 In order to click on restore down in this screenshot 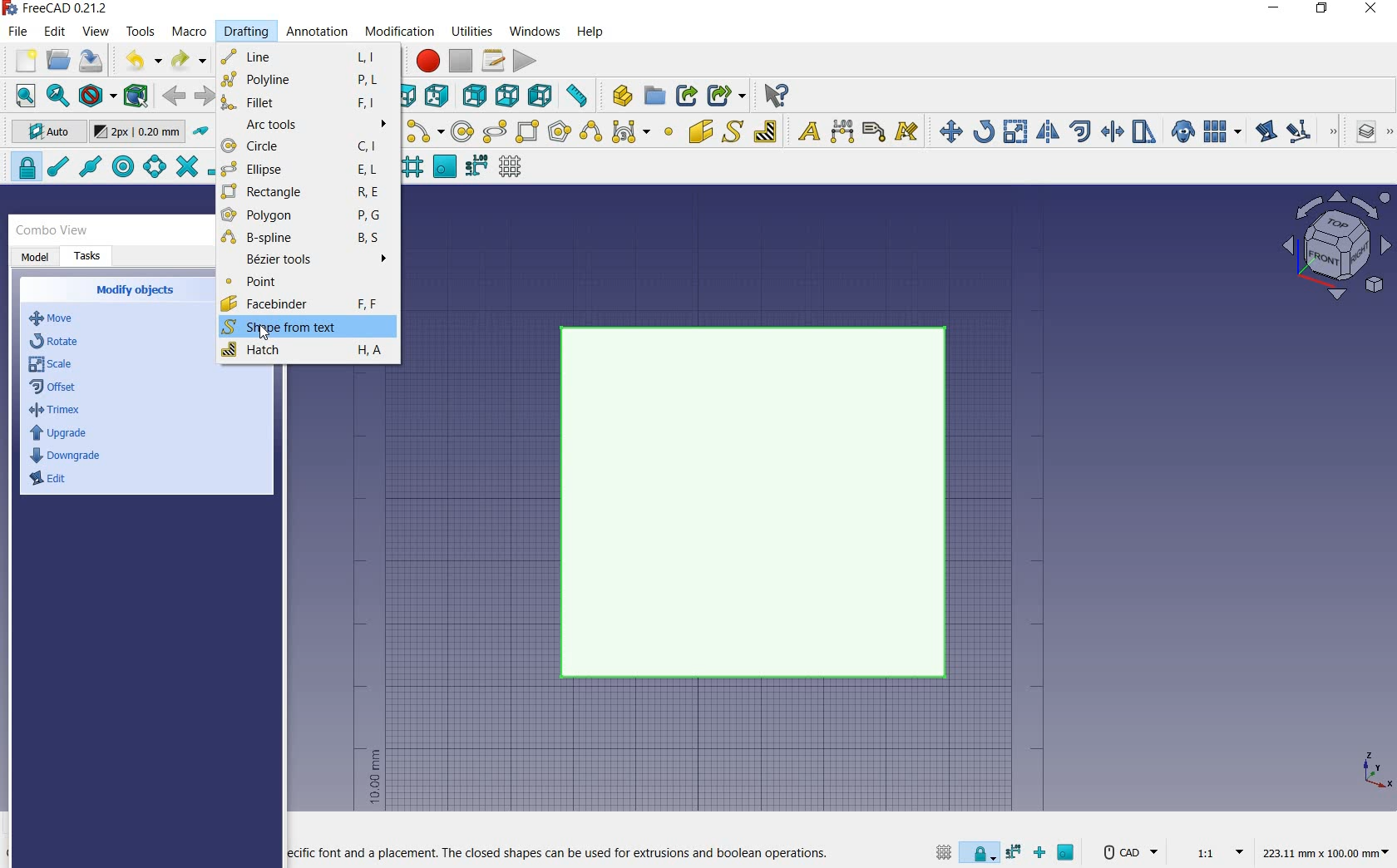, I will do `click(1323, 10)`.